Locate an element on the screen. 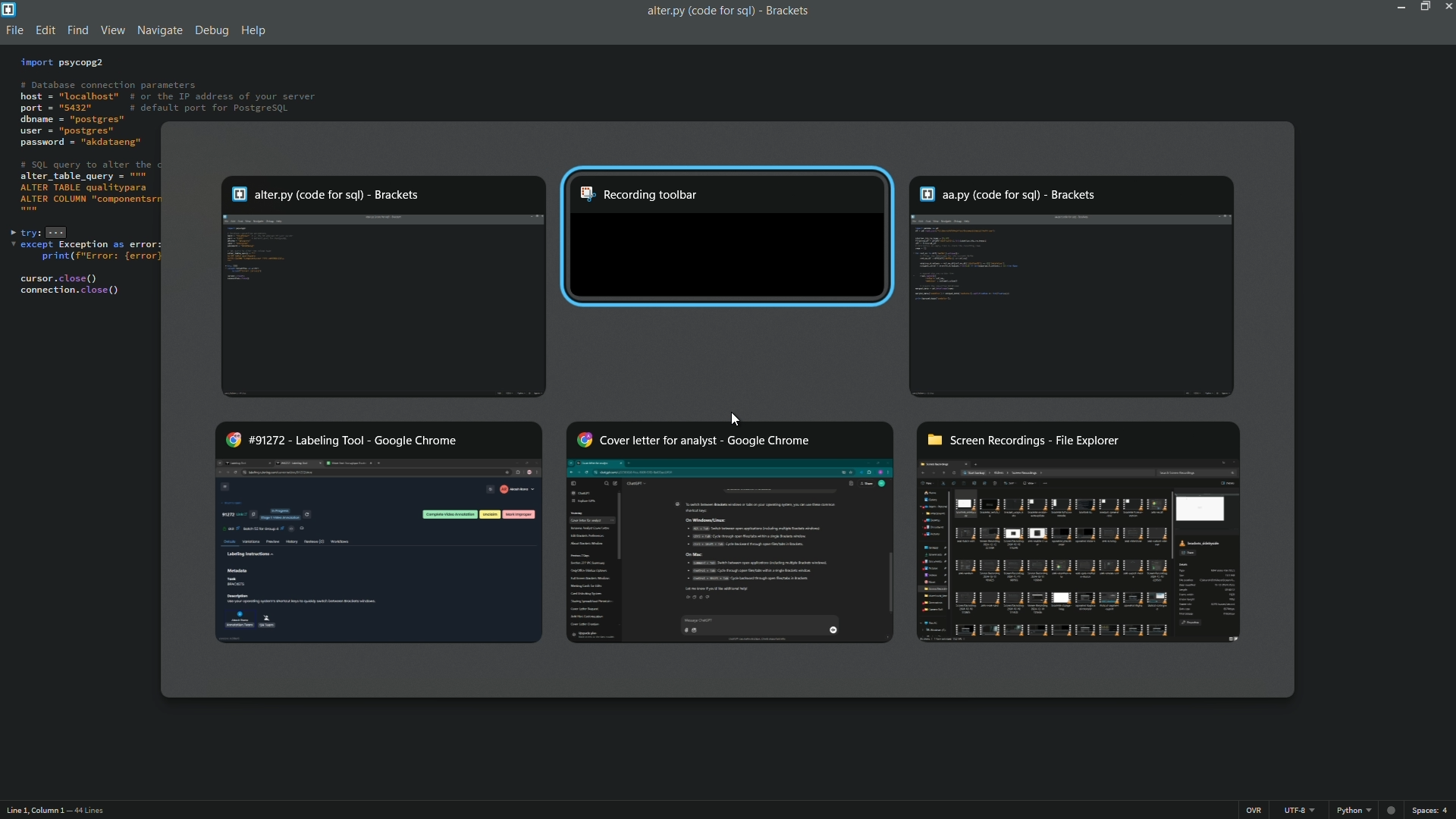 Image resolution: width=1456 pixels, height=819 pixels. screen recording-file explorer window is located at coordinates (1080, 534).